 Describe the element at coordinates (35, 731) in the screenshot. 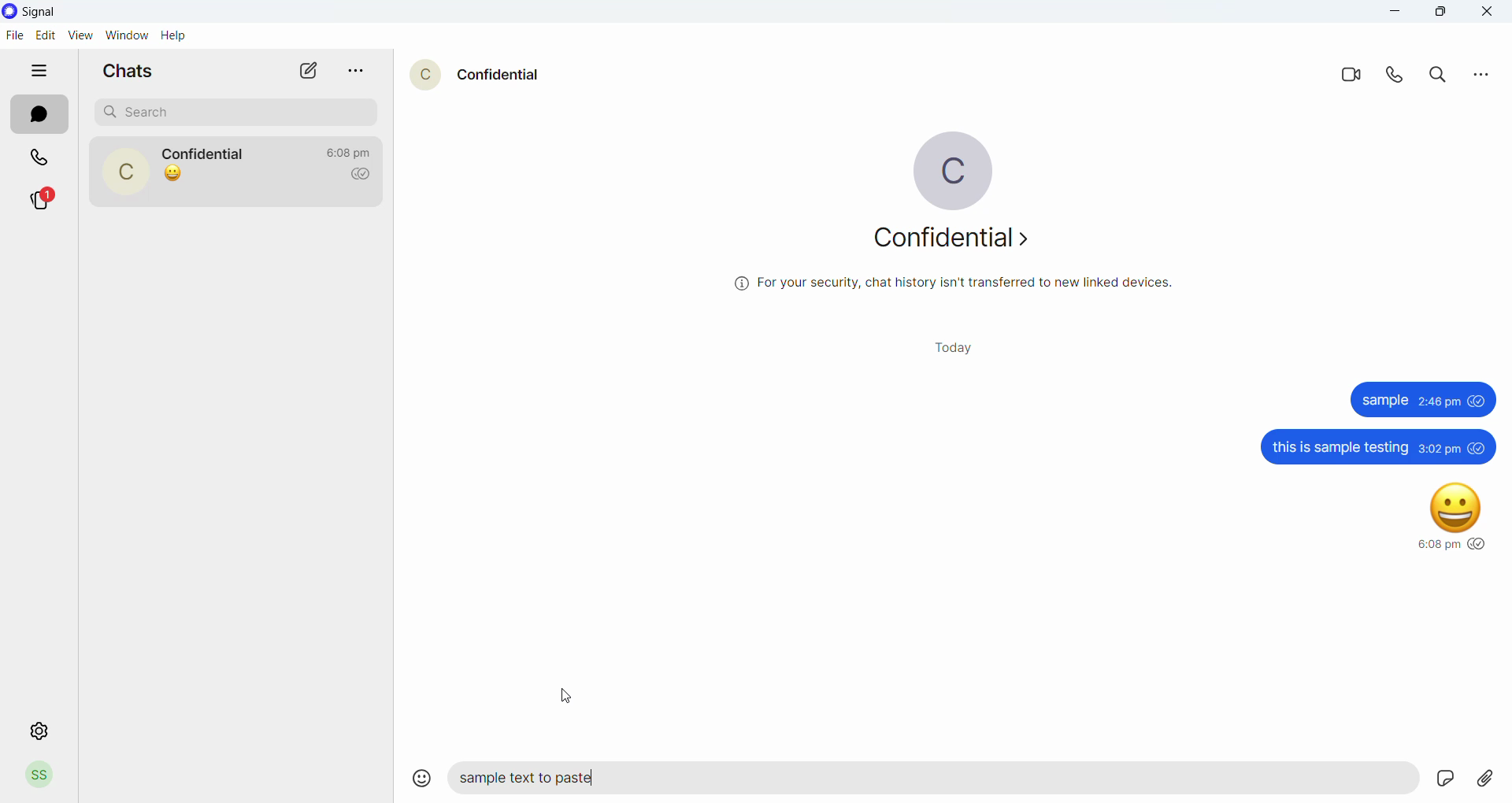

I see `setting` at that location.